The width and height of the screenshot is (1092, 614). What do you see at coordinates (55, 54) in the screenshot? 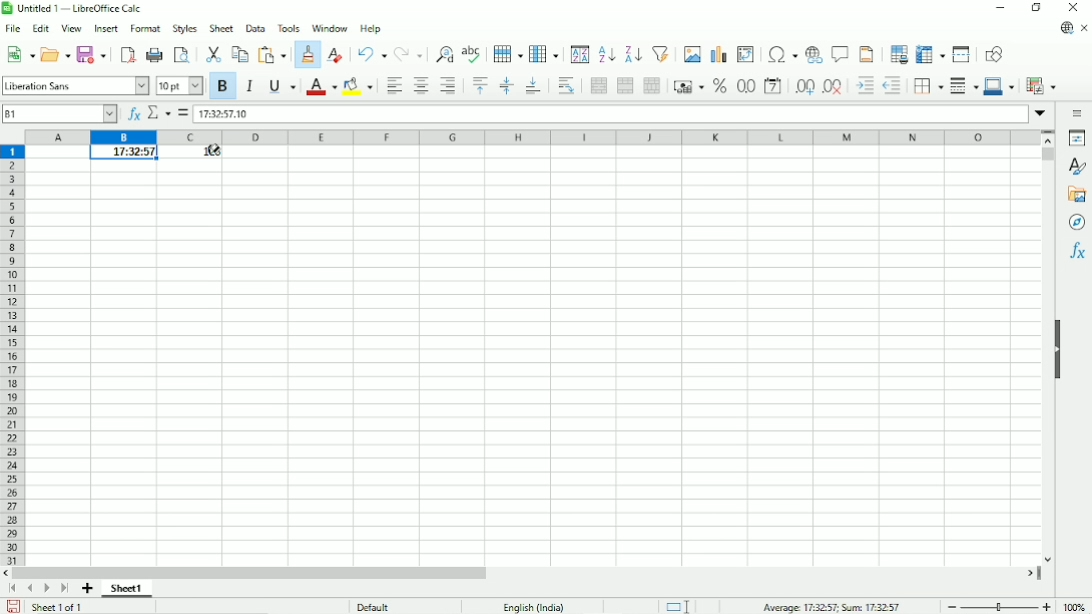
I see `Open` at bounding box center [55, 54].